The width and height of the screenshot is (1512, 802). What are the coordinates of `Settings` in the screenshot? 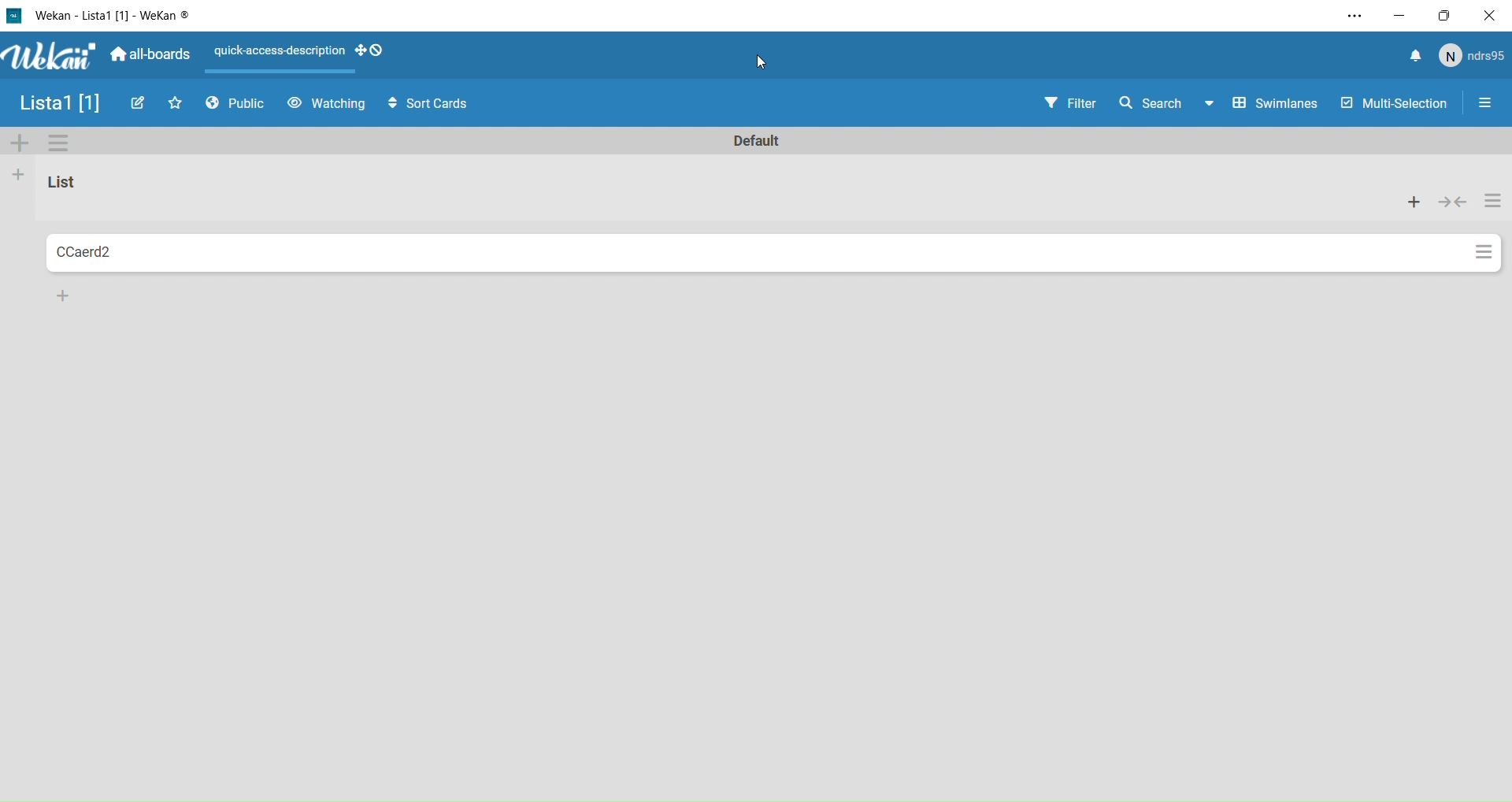 It's located at (62, 142).